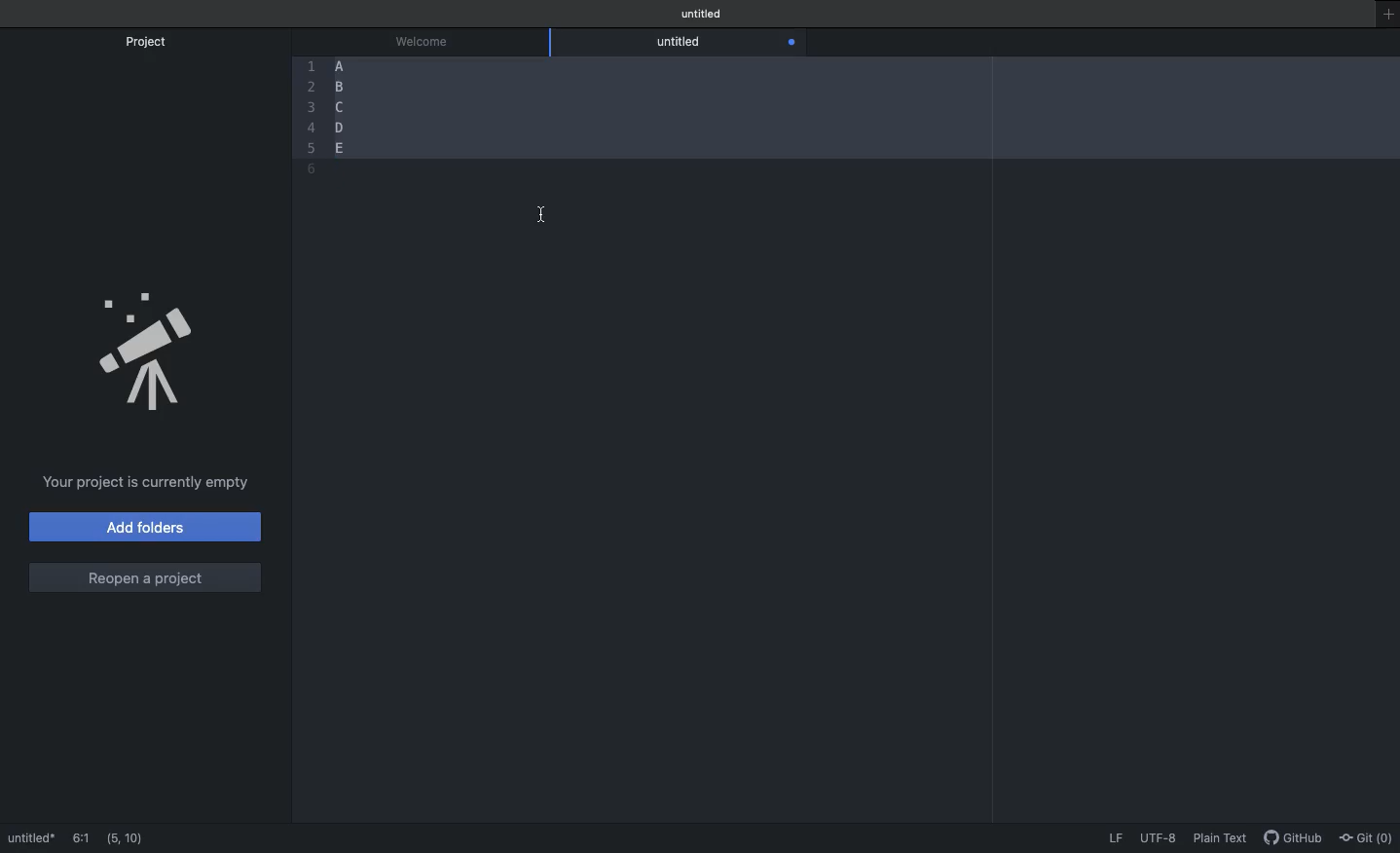  What do you see at coordinates (340, 102) in the screenshot?
I see `ABCDE` at bounding box center [340, 102].